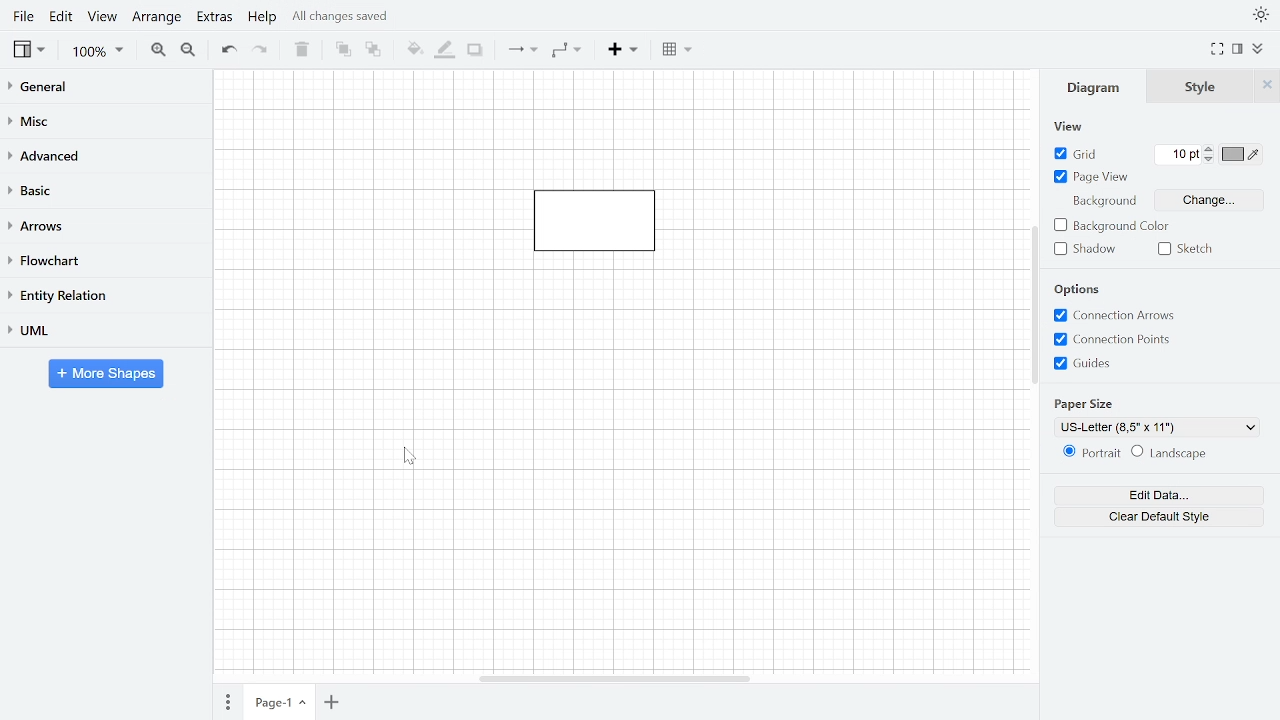 Image resolution: width=1280 pixels, height=720 pixels. What do you see at coordinates (1090, 86) in the screenshot?
I see `Diagram` at bounding box center [1090, 86].